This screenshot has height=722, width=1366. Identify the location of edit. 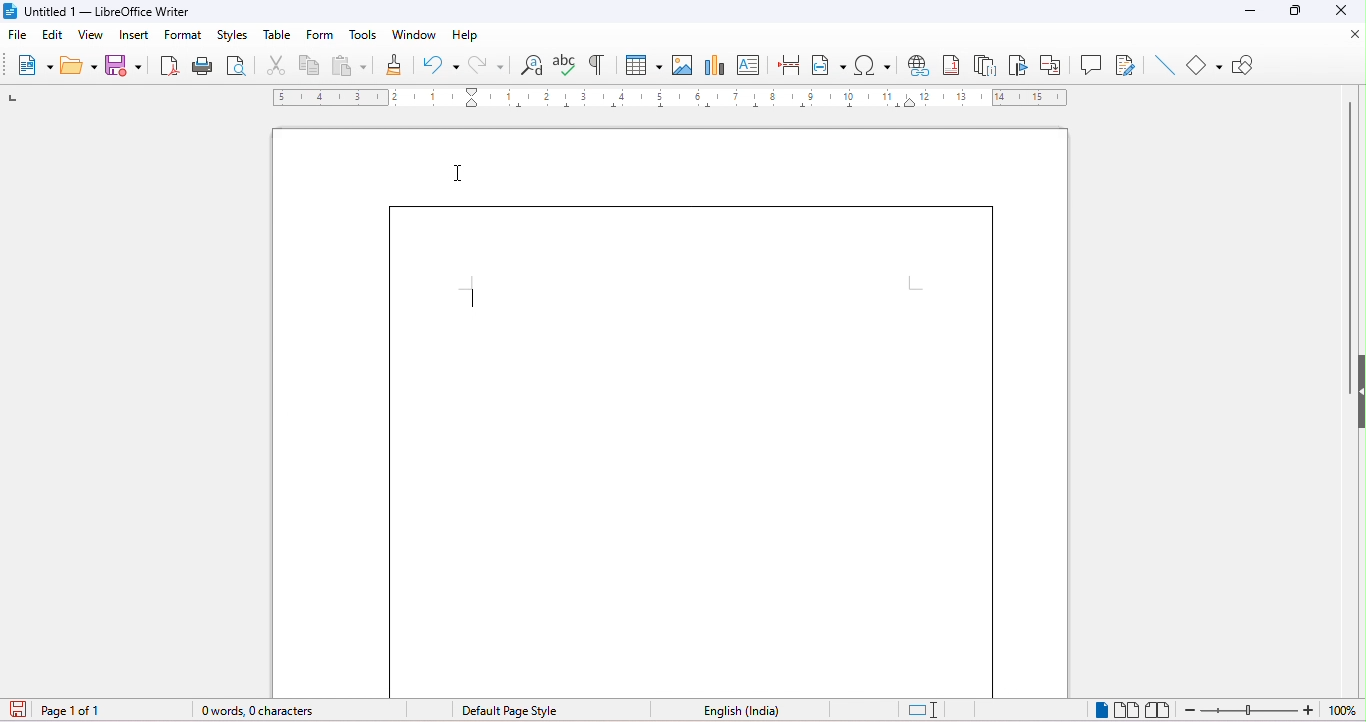
(53, 32).